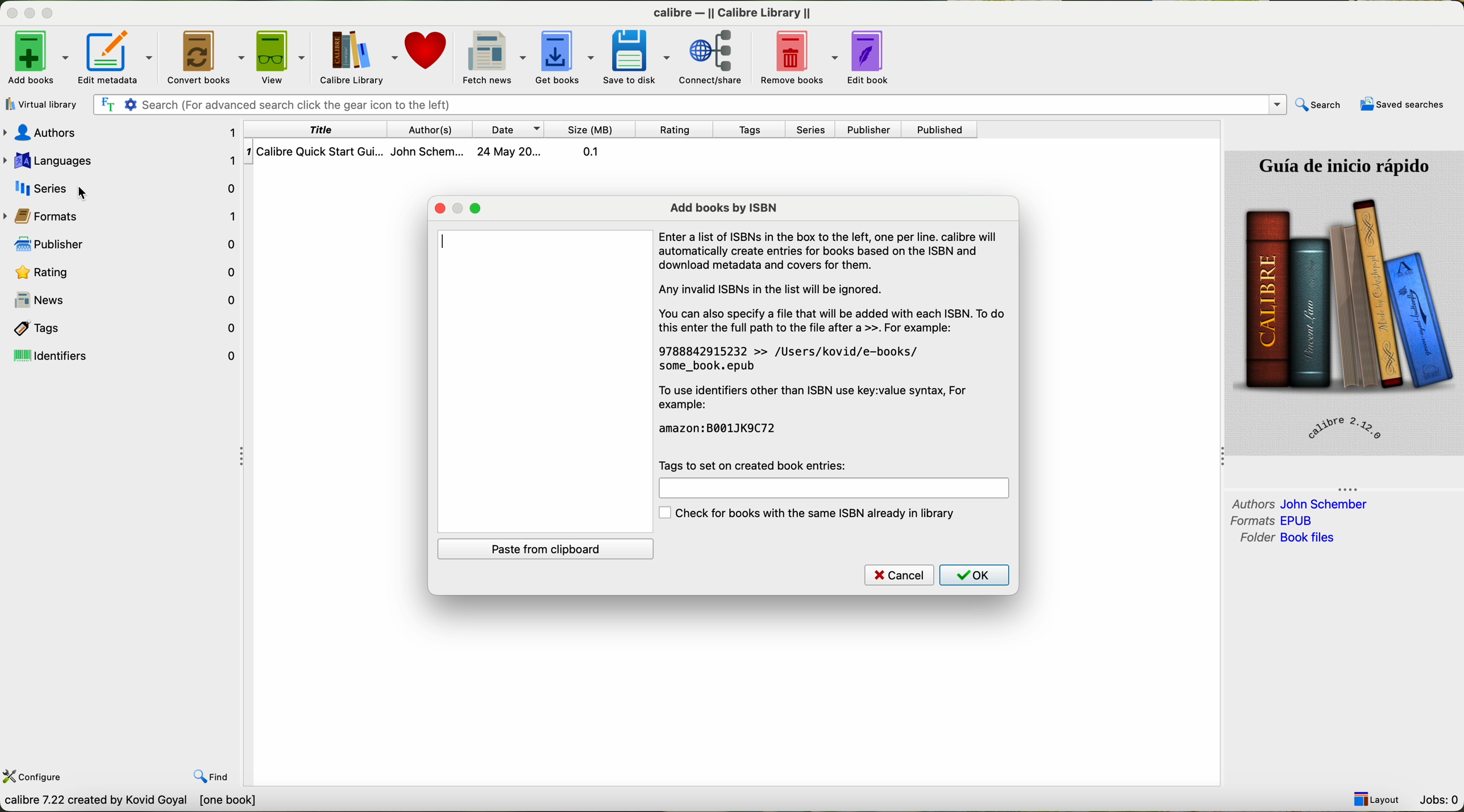  Describe the element at coordinates (135, 802) in the screenshot. I see `Callibre 7.22 created by Kavid Goyal [0 books]` at that location.